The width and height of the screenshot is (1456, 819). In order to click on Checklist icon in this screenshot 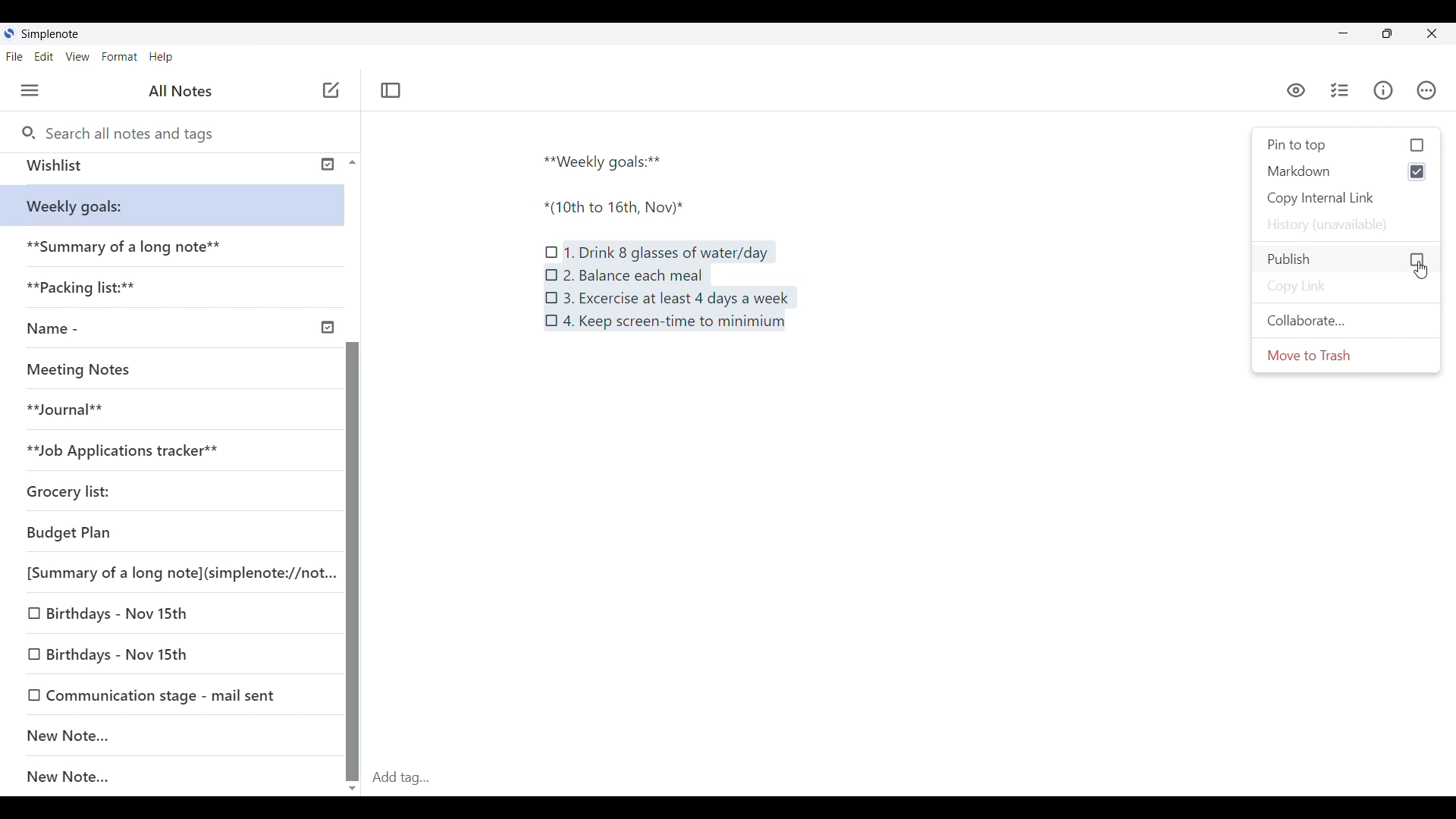, I will do `click(551, 273)`.